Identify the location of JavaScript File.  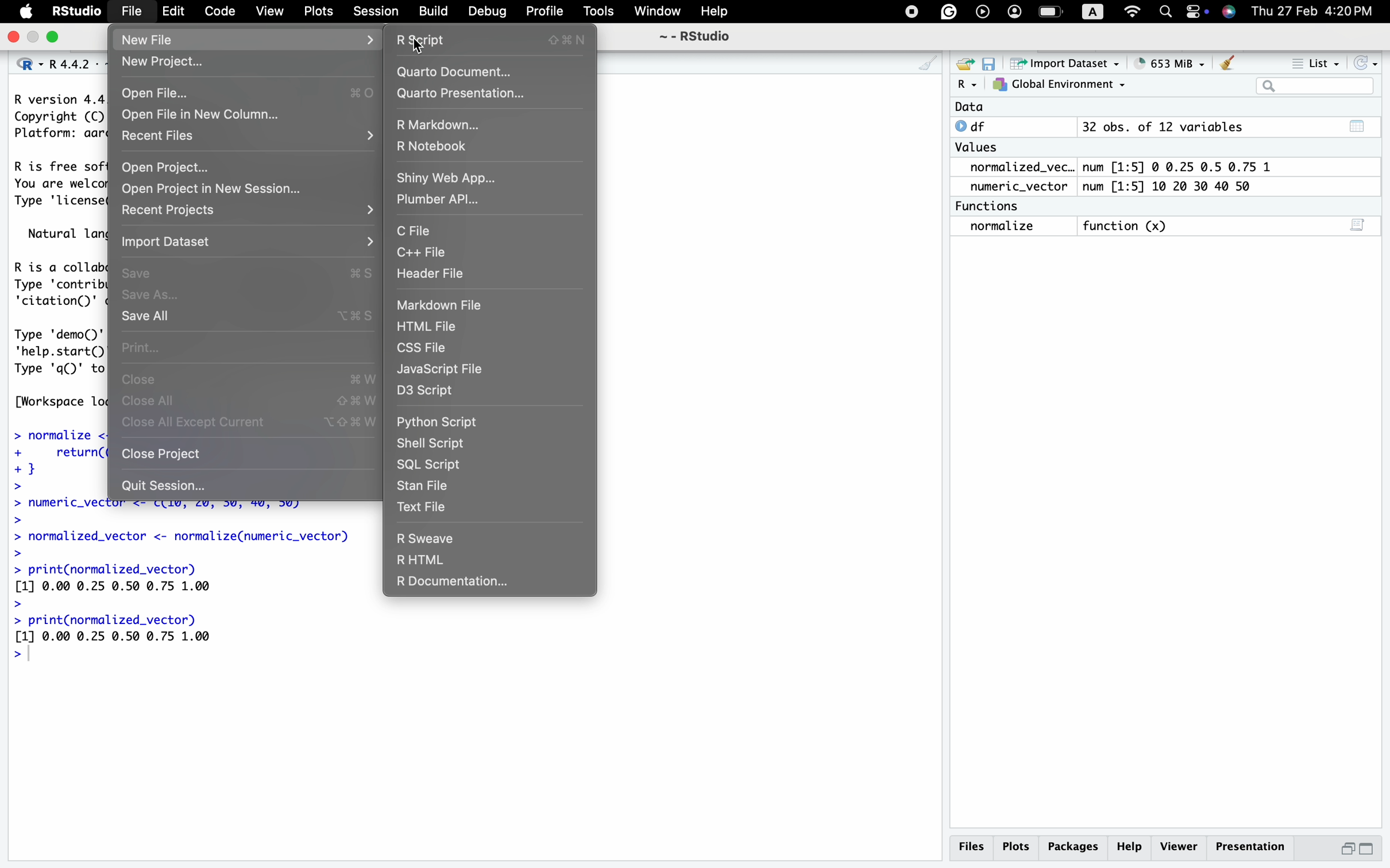
(444, 369).